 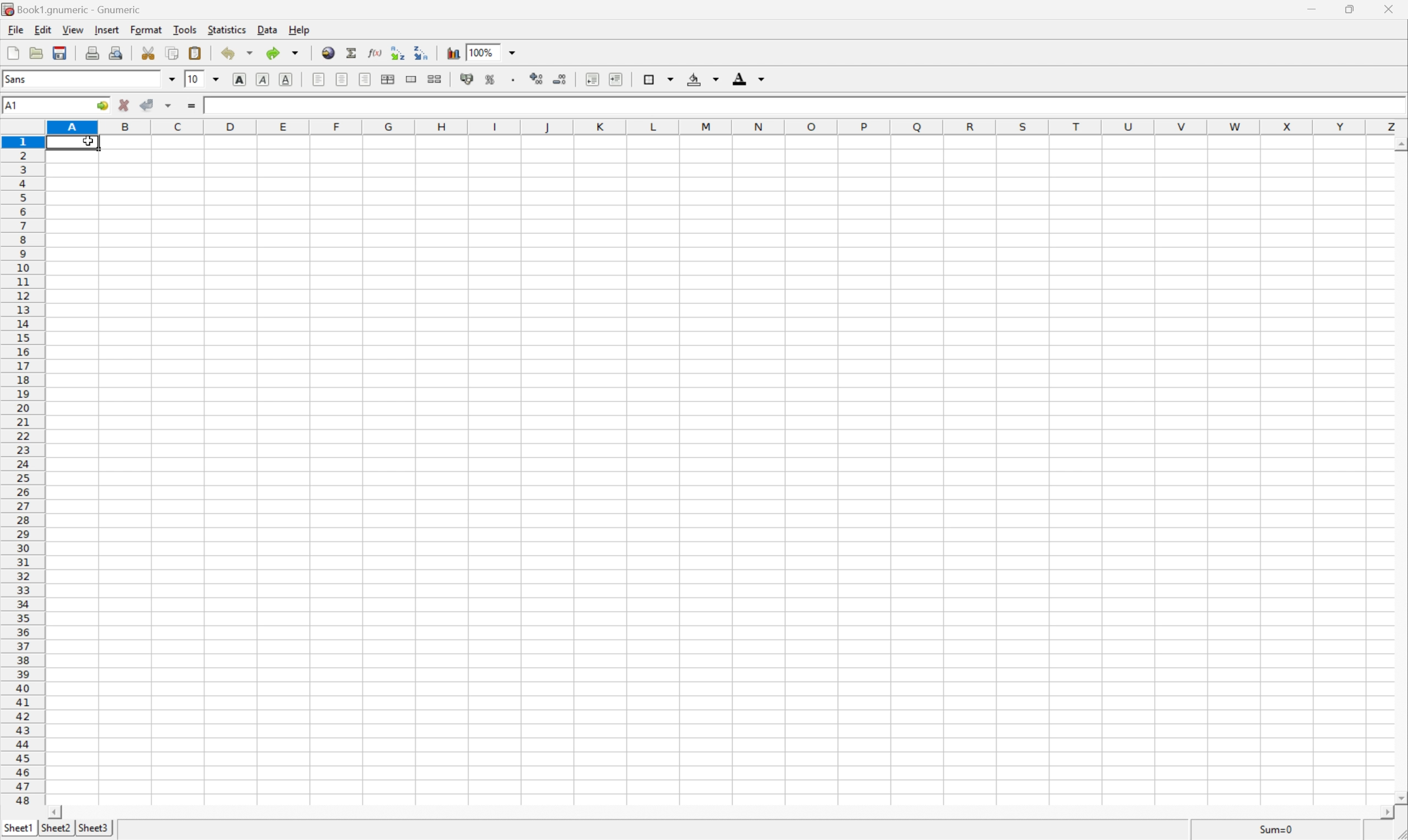 I want to click on insert, so click(x=106, y=30).